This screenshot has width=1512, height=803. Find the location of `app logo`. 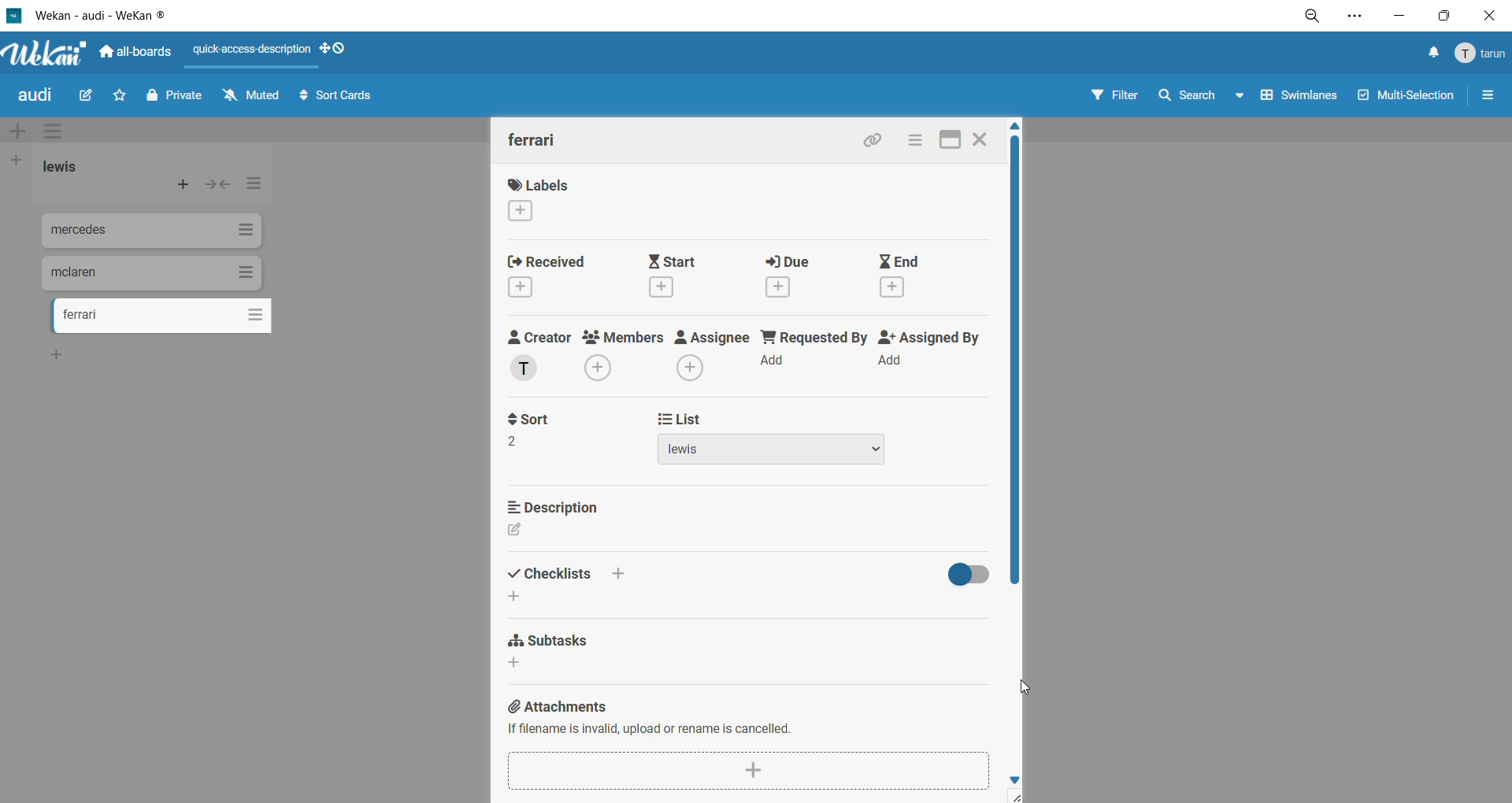

app logo is located at coordinates (43, 50).